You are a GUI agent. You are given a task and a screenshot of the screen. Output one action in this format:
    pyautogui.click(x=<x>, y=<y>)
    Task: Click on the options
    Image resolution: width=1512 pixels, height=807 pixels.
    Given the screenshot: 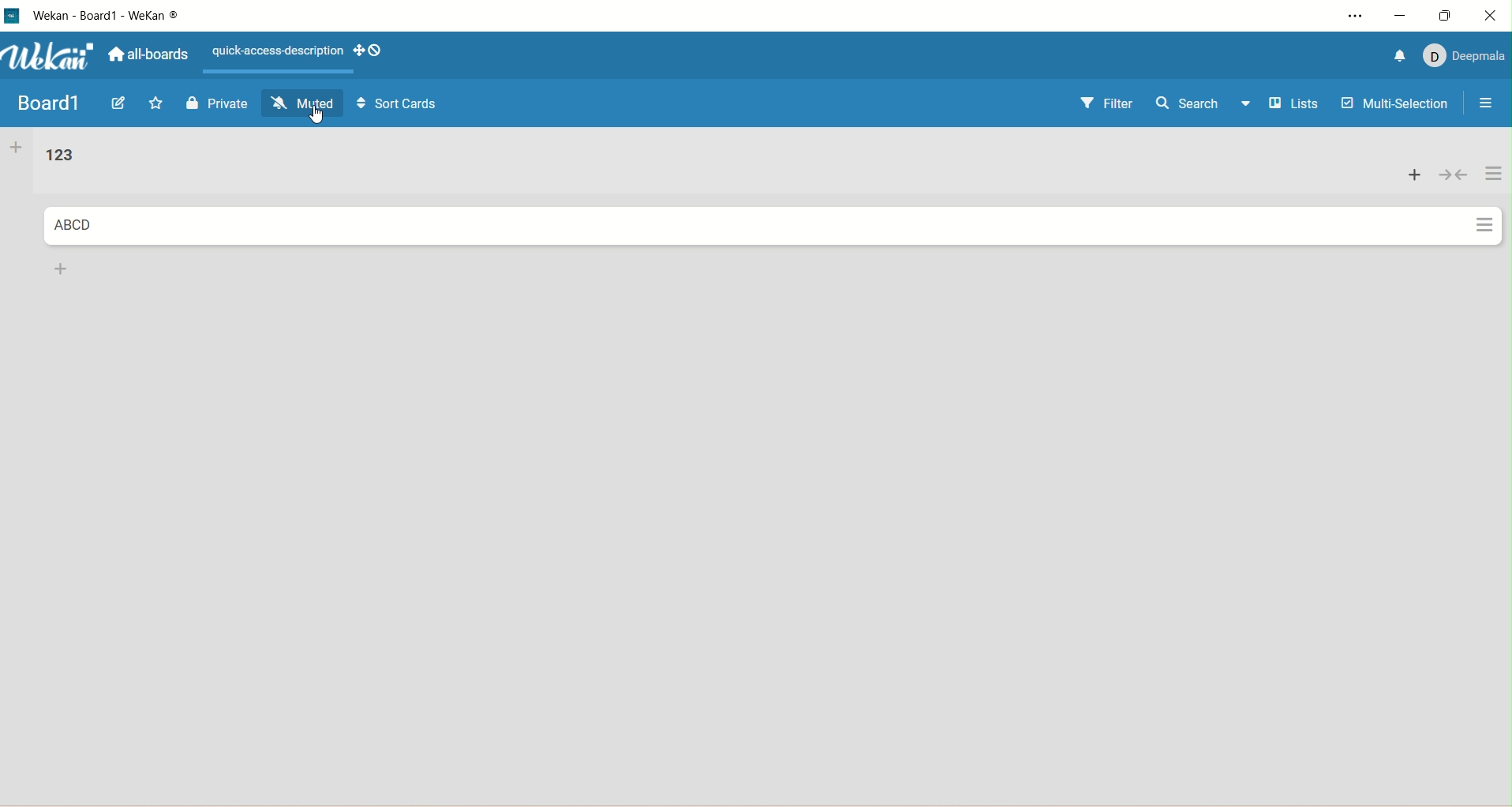 What is the action you would take?
    pyautogui.click(x=1482, y=105)
    